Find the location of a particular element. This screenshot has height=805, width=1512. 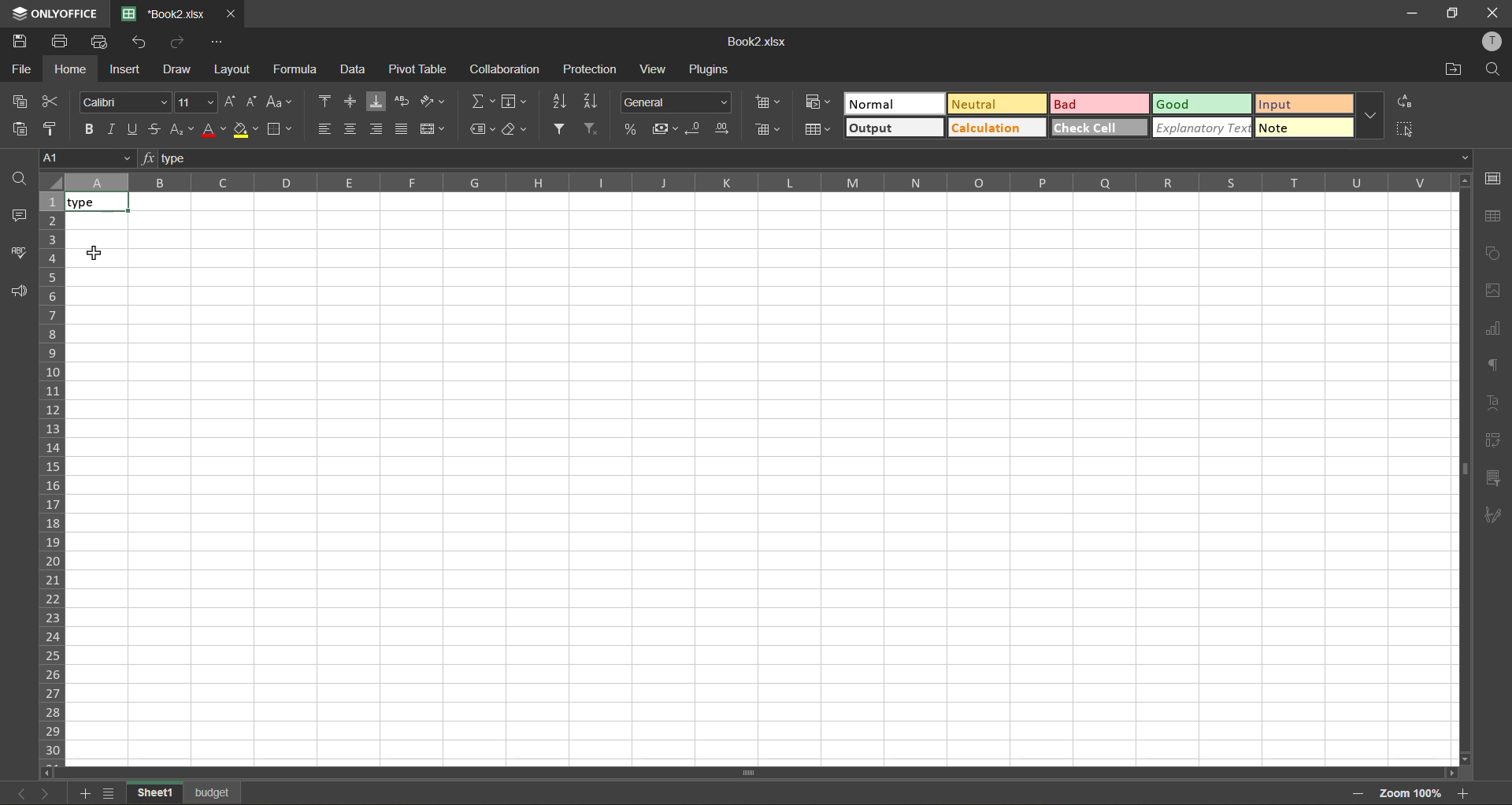

font color is located at coordinates (213, 130).